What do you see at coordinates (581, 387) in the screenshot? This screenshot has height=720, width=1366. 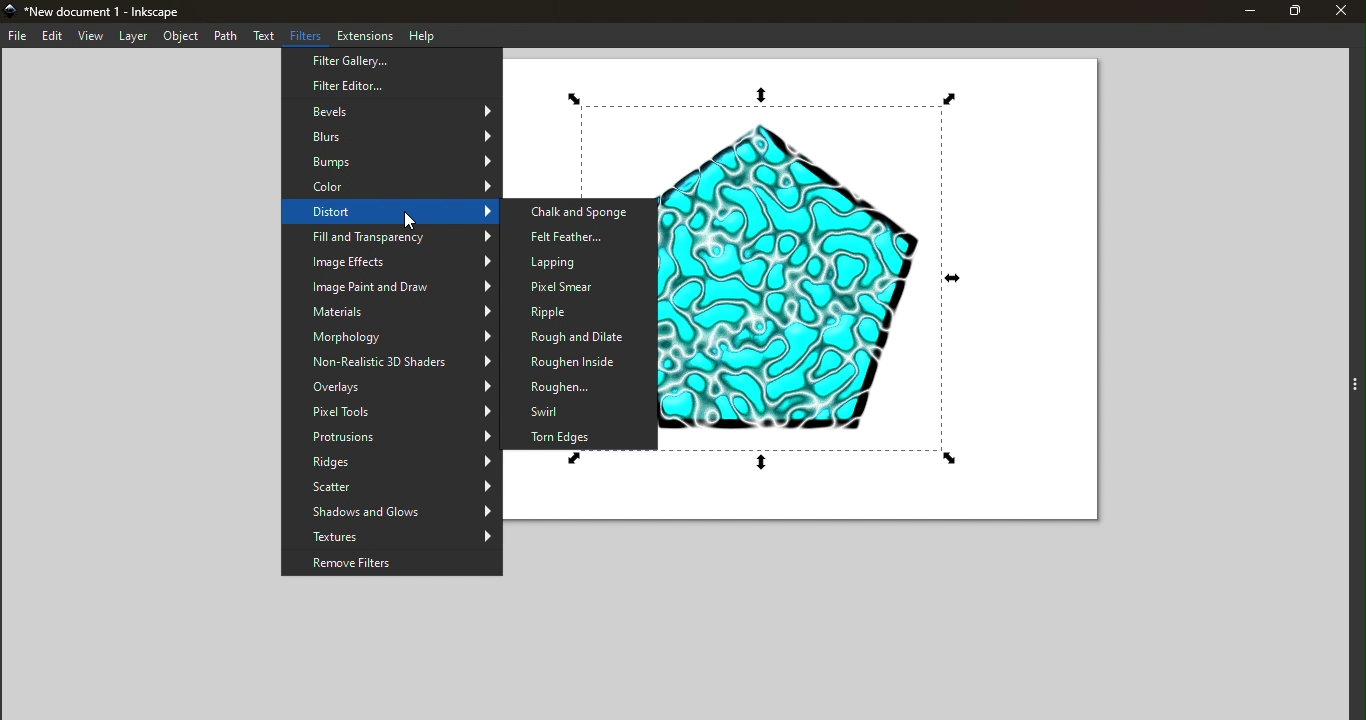 I see `Roughen` at bounding box center [581, 387].